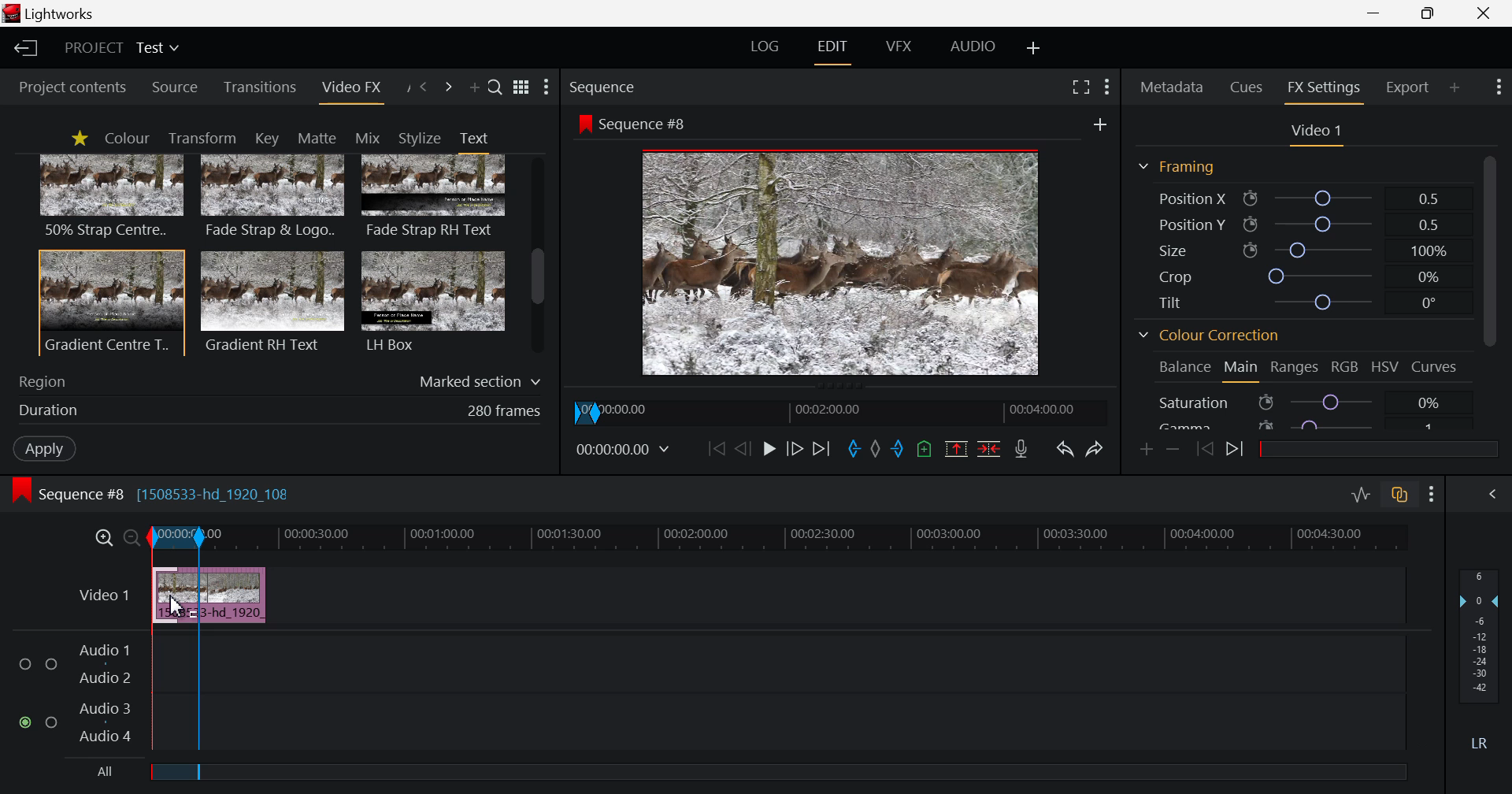 Image resolution: width=1512 pixels, height=794 pixels. Describe the element at coordinates (1082, 87) in the screenshot. I see `Full Screen` at that location.